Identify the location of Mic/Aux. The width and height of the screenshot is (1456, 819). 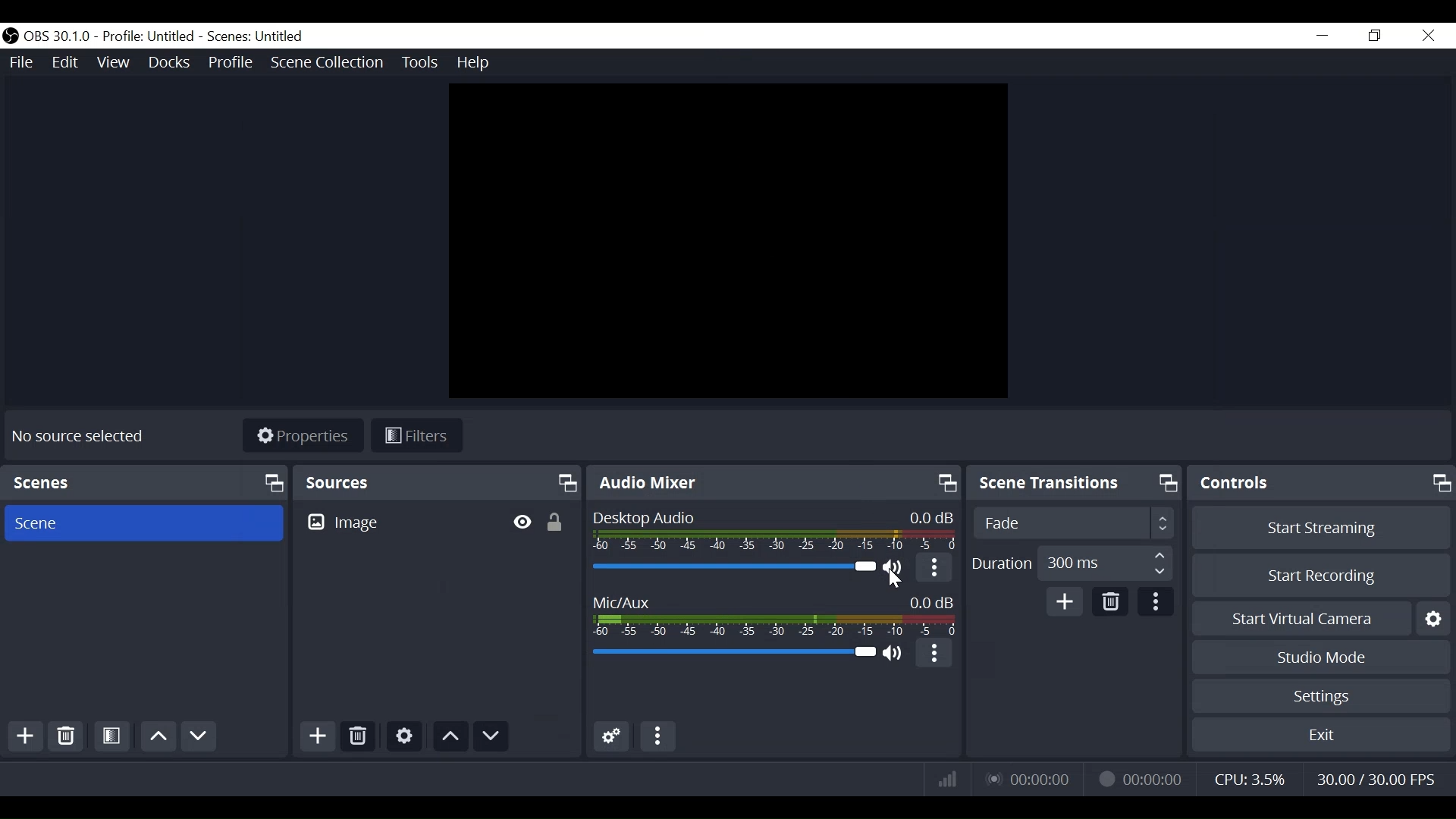
(776, 615).